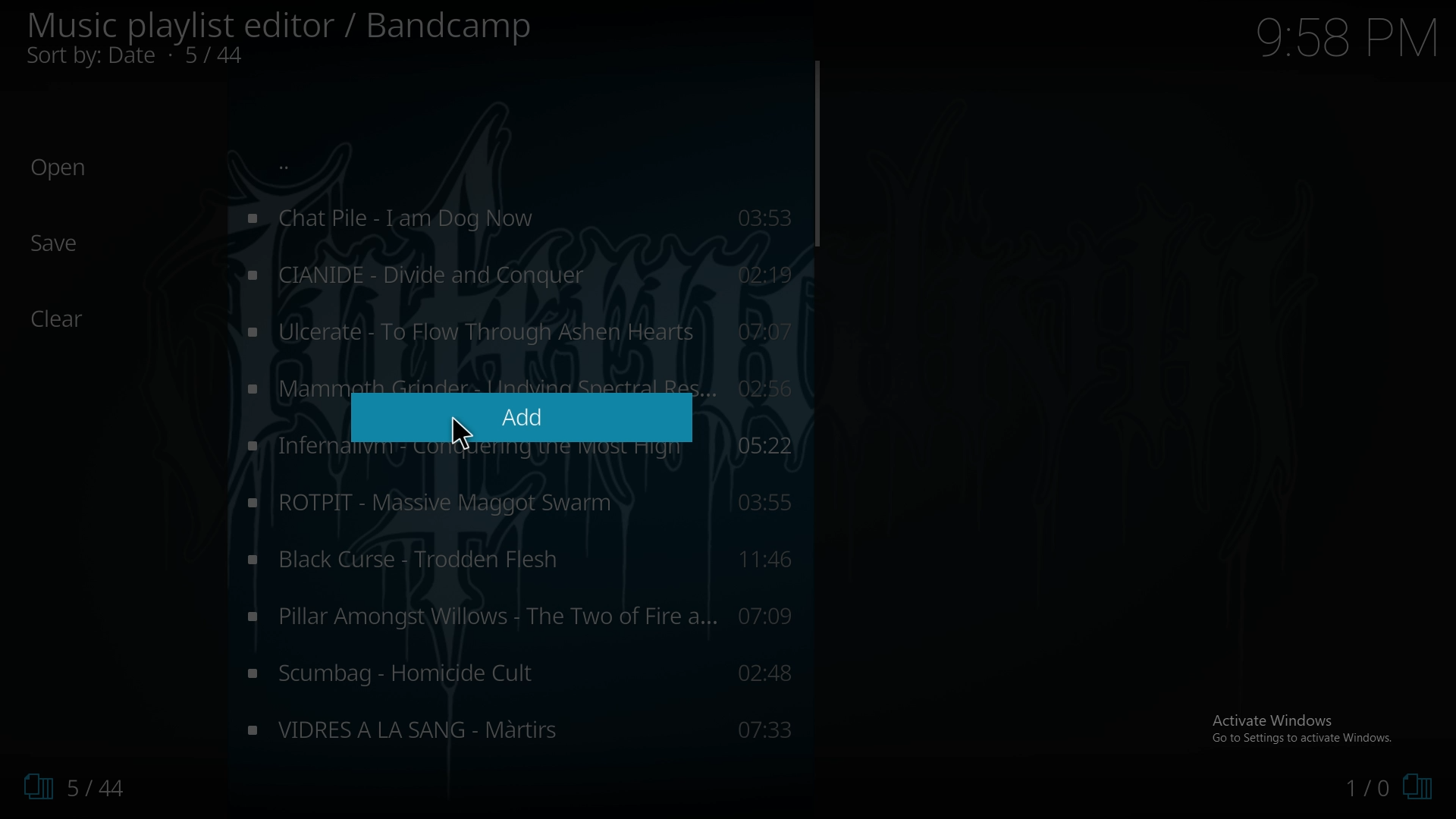  What do you see at coordinates (1305, 728) in the screenshot?
I see `Activate Windows, Go to settings to activate windows` at bounding box center [1305, 728].